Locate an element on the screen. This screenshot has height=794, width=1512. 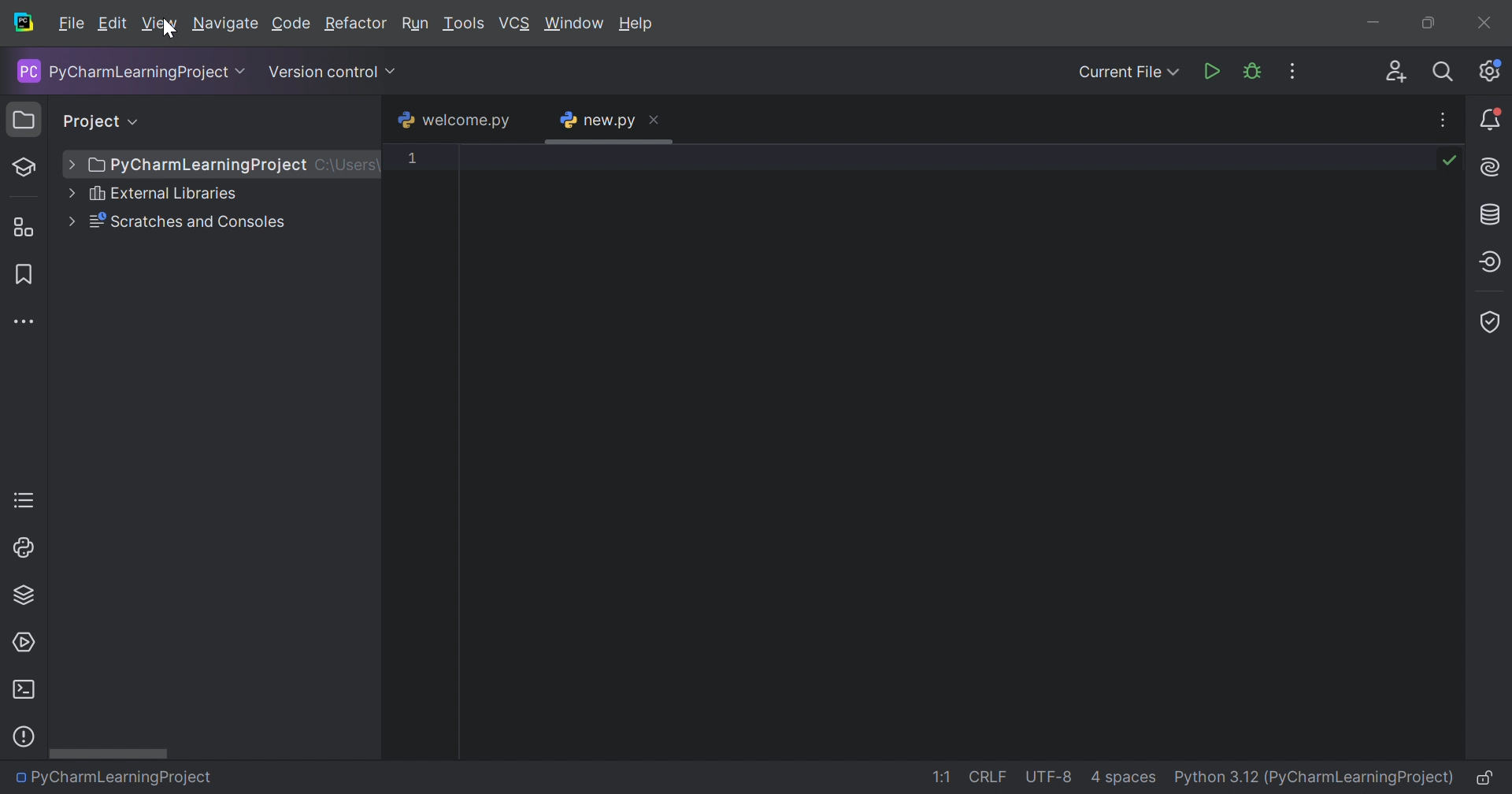
Endpoints is located at coordinates (1493, 260).